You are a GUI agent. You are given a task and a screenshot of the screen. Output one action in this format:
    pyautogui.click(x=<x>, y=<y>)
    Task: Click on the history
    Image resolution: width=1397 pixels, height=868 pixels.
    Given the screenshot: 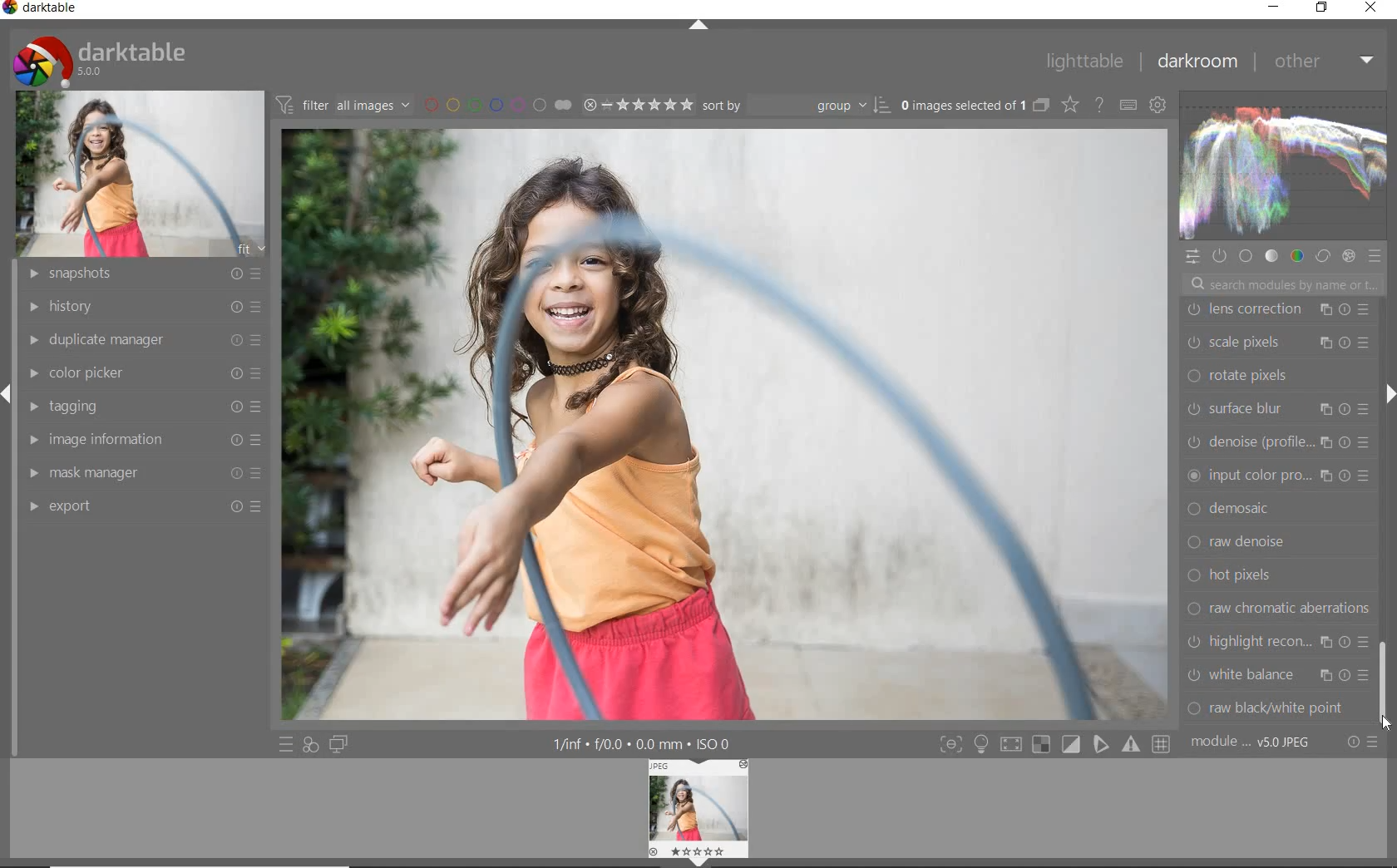 What is the action you would take?
    pyautogui.click(x=139, y=305)
    